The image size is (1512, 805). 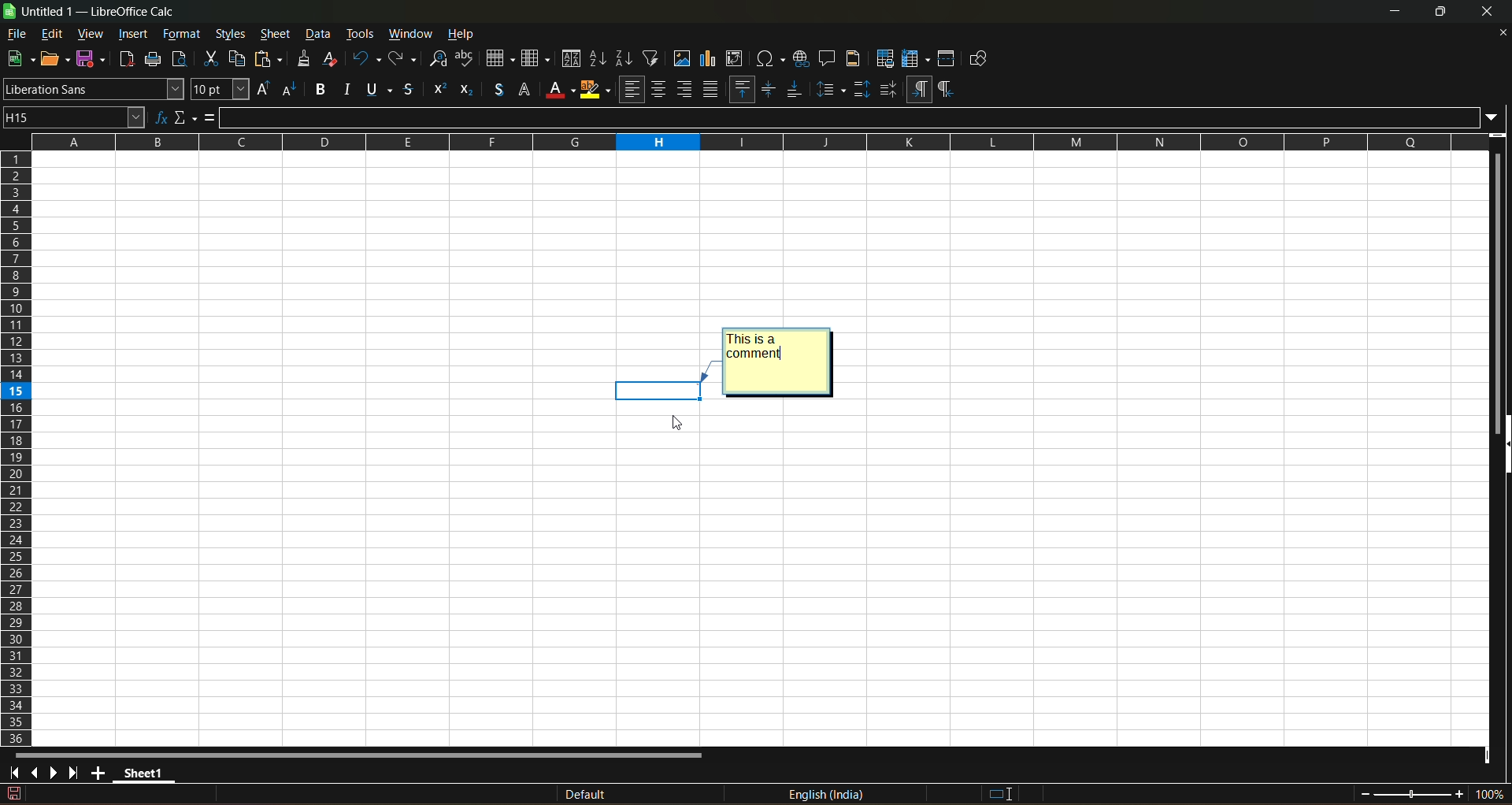 What do you see at coordinates (726, 90) in the screenshot?
I see `format as currency` at bounding box center [726, 90].